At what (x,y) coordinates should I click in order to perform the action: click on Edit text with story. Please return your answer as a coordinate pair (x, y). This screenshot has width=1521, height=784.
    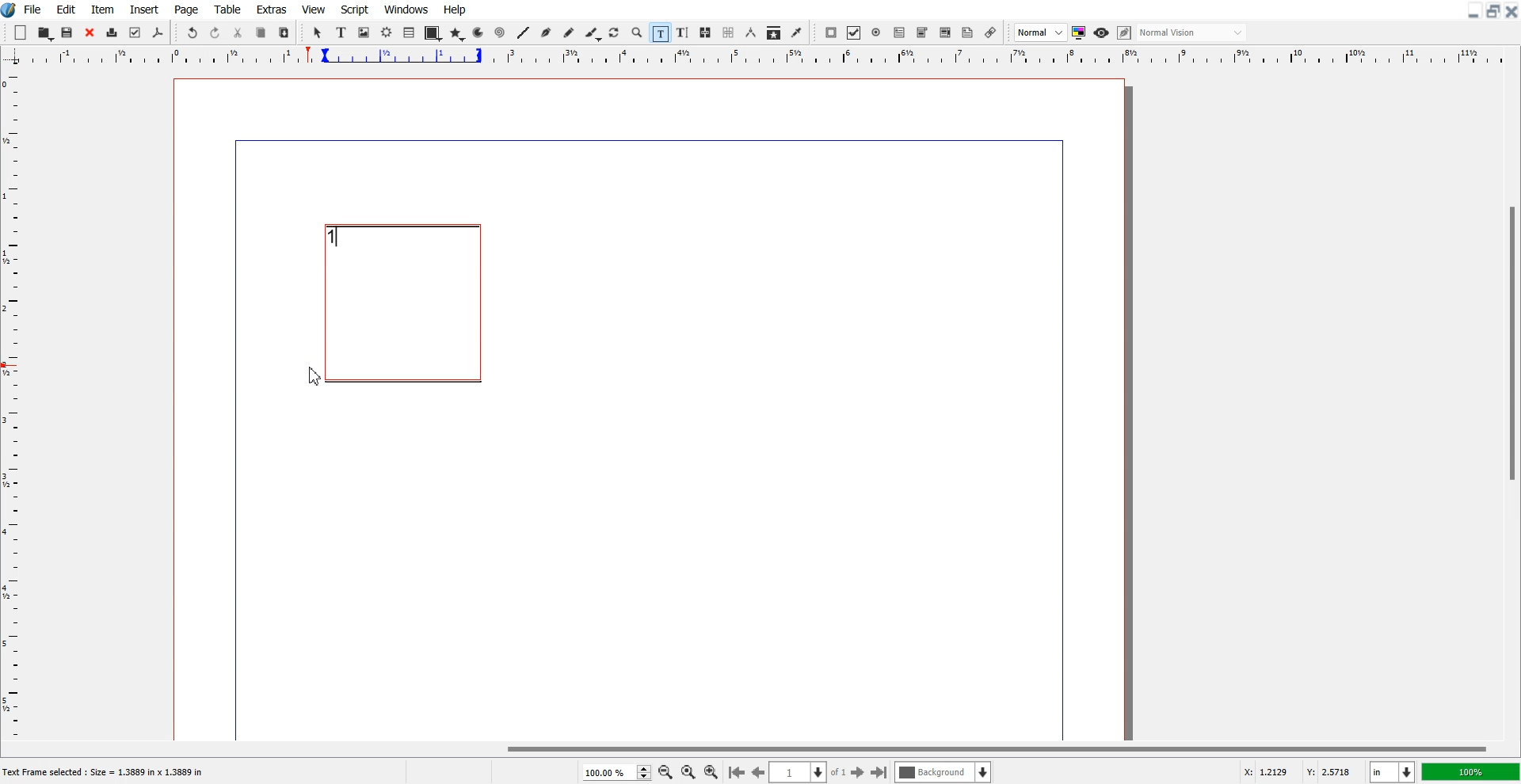
    Looking at the image, I should click on (684, 33).